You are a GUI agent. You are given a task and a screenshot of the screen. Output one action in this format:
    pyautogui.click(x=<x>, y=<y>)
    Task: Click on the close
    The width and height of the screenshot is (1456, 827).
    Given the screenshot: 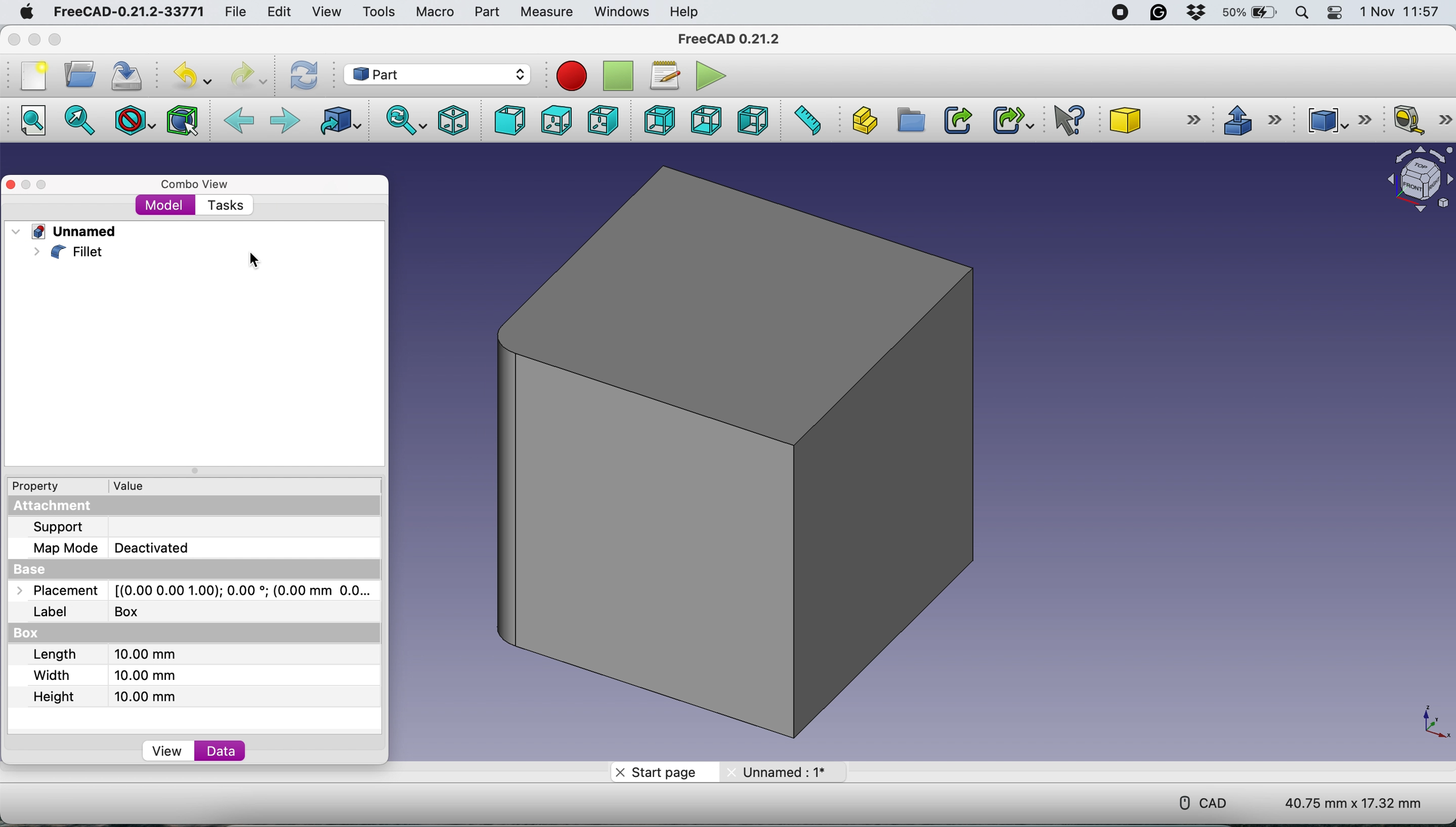 What is the action you would take?
    pyautogui.click(x=14, y=40)
    